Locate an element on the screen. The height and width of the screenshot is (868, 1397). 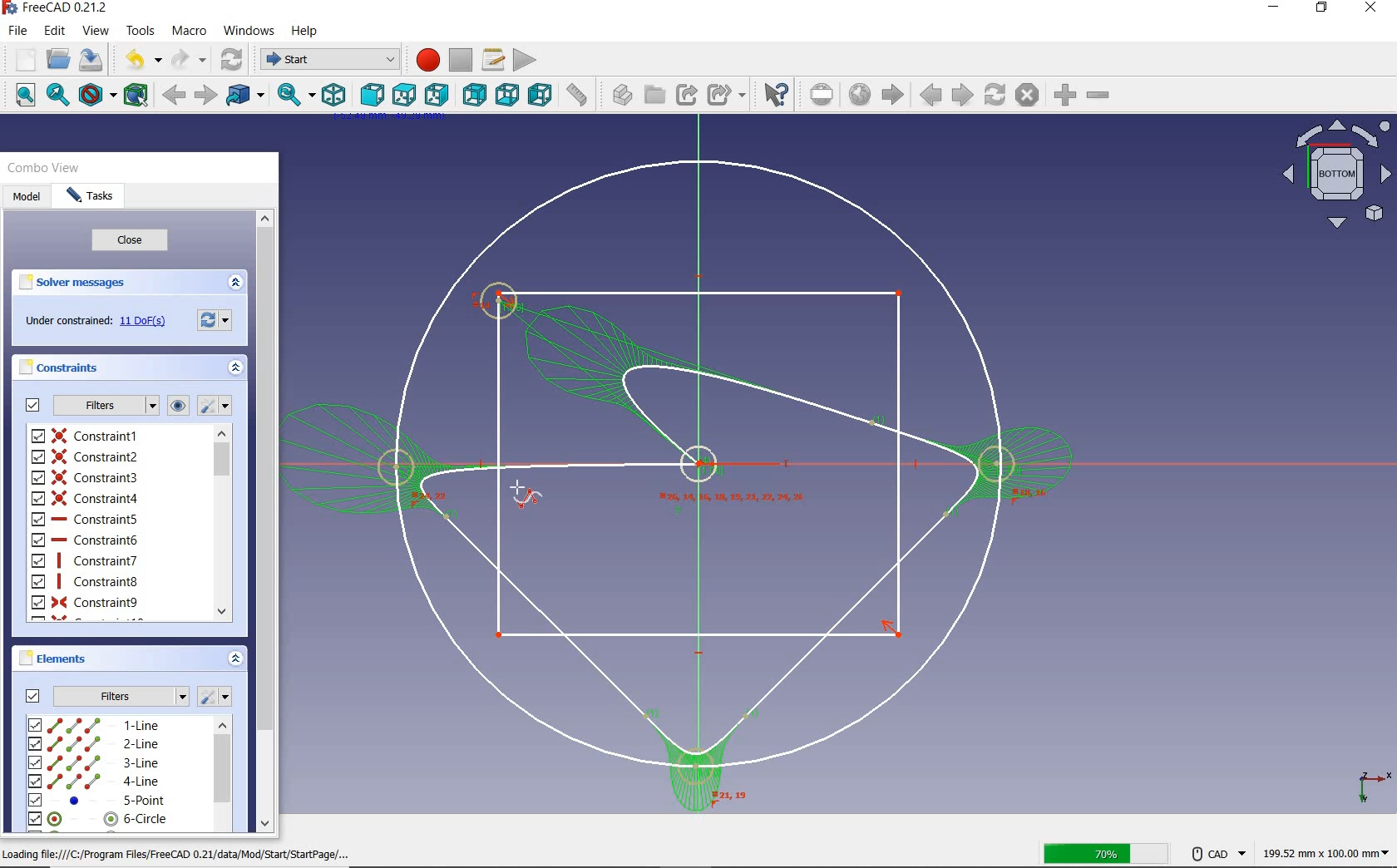
tools is located at coordinates (141, 29).